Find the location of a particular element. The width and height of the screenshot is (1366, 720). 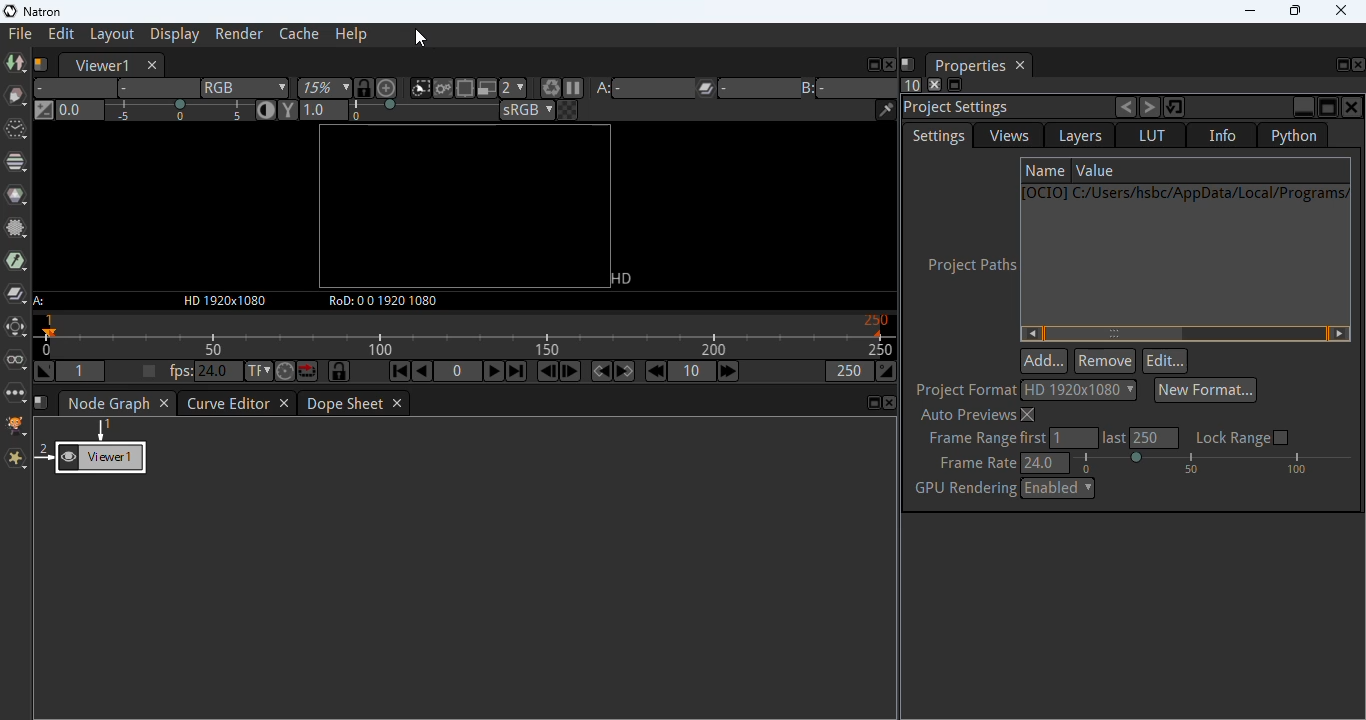

script name: pane 3 is located at coordinates (40, 403).